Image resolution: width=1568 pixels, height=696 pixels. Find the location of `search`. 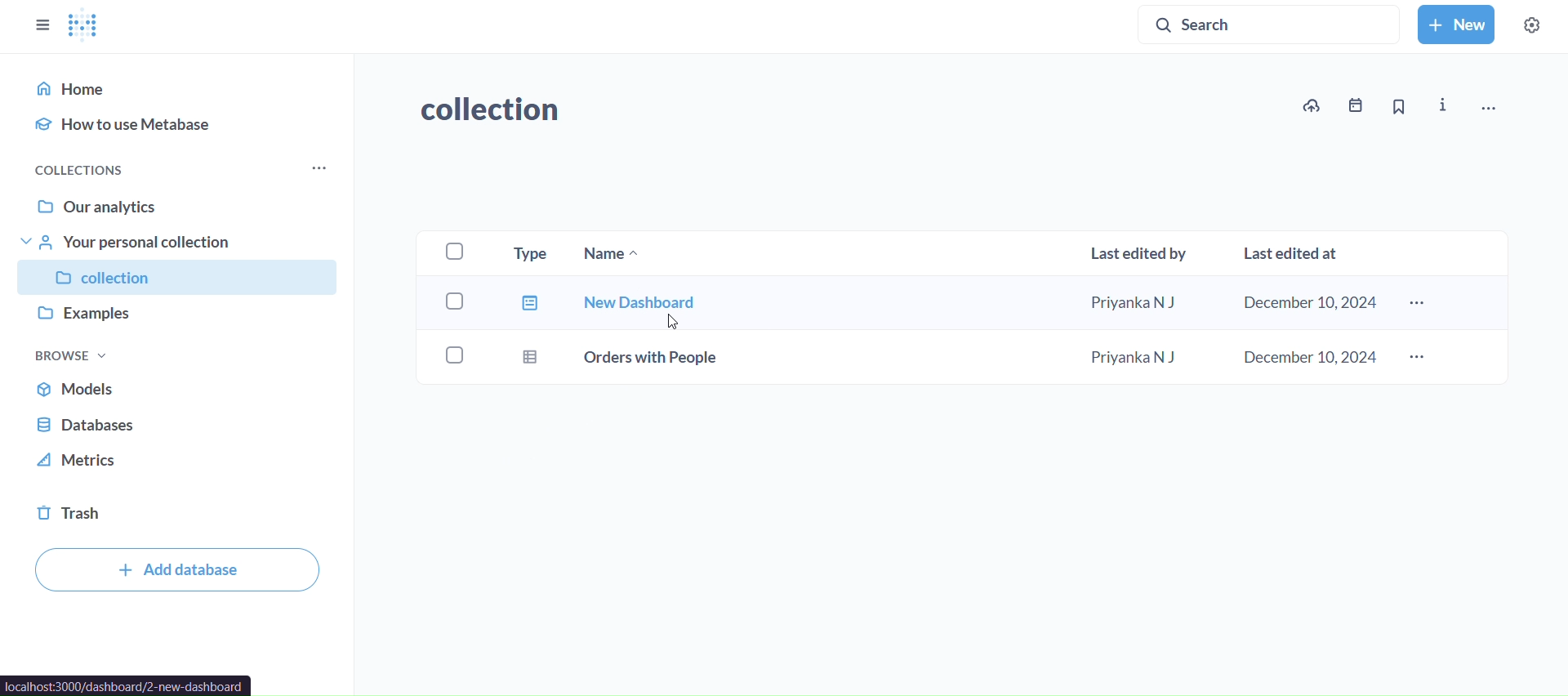

search is located at coordinates (1261, 25).